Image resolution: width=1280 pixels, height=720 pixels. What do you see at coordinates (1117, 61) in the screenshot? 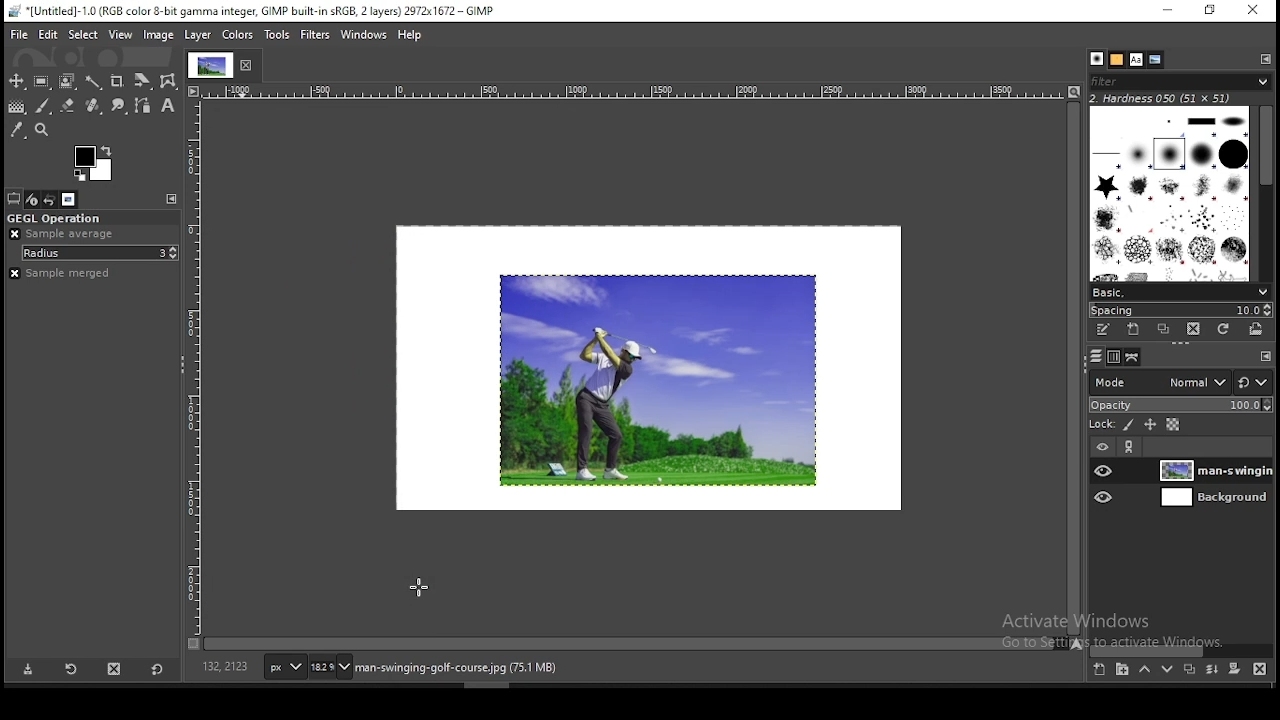
I see `patterns` at bounding box center [1117, 61].